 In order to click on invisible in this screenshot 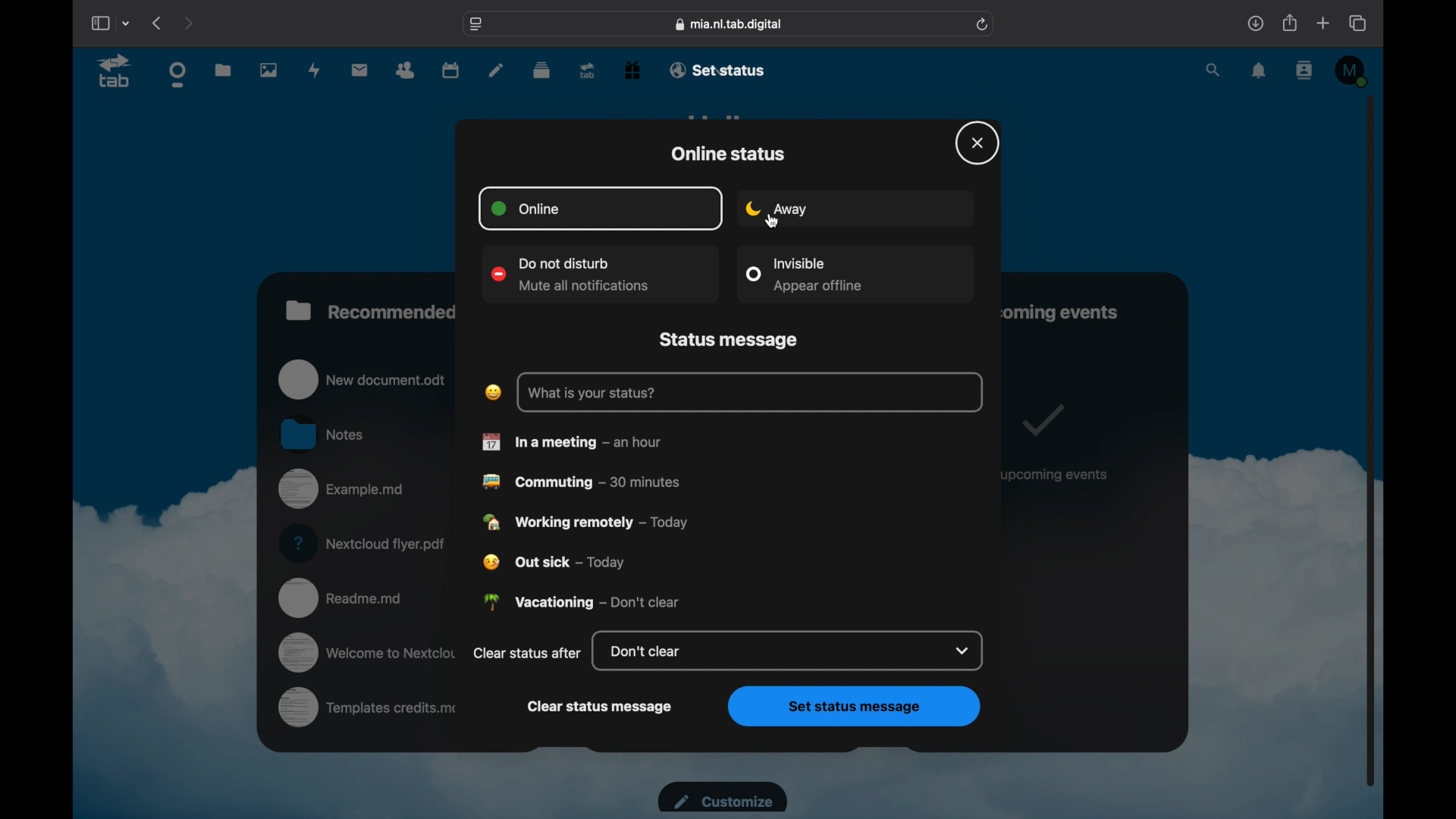, I will do `click(805, 274)`.